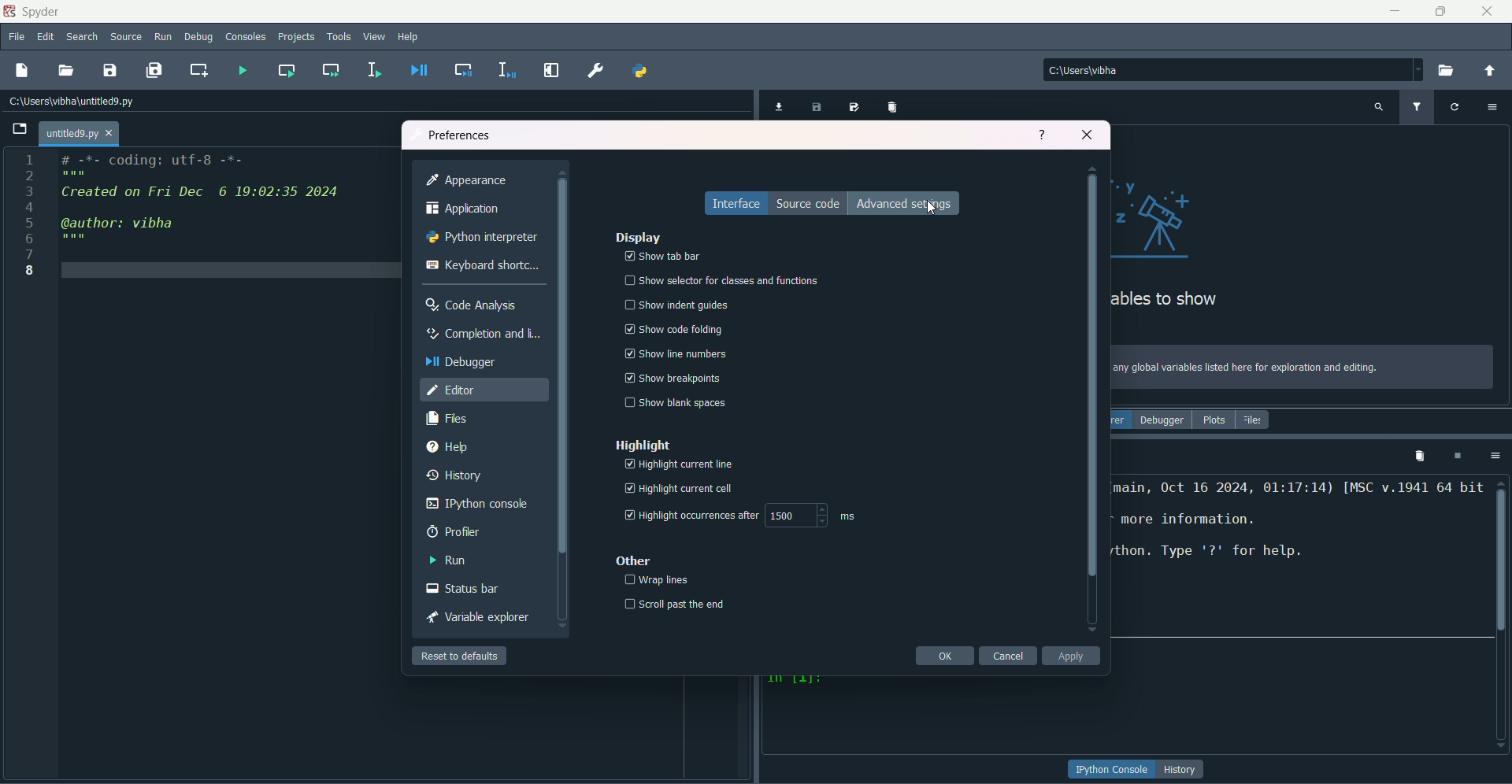 This screenshot has height=784, width=1512. Describe the element at coordinates (447, 449) in the screenshot. I see `help` at that location.